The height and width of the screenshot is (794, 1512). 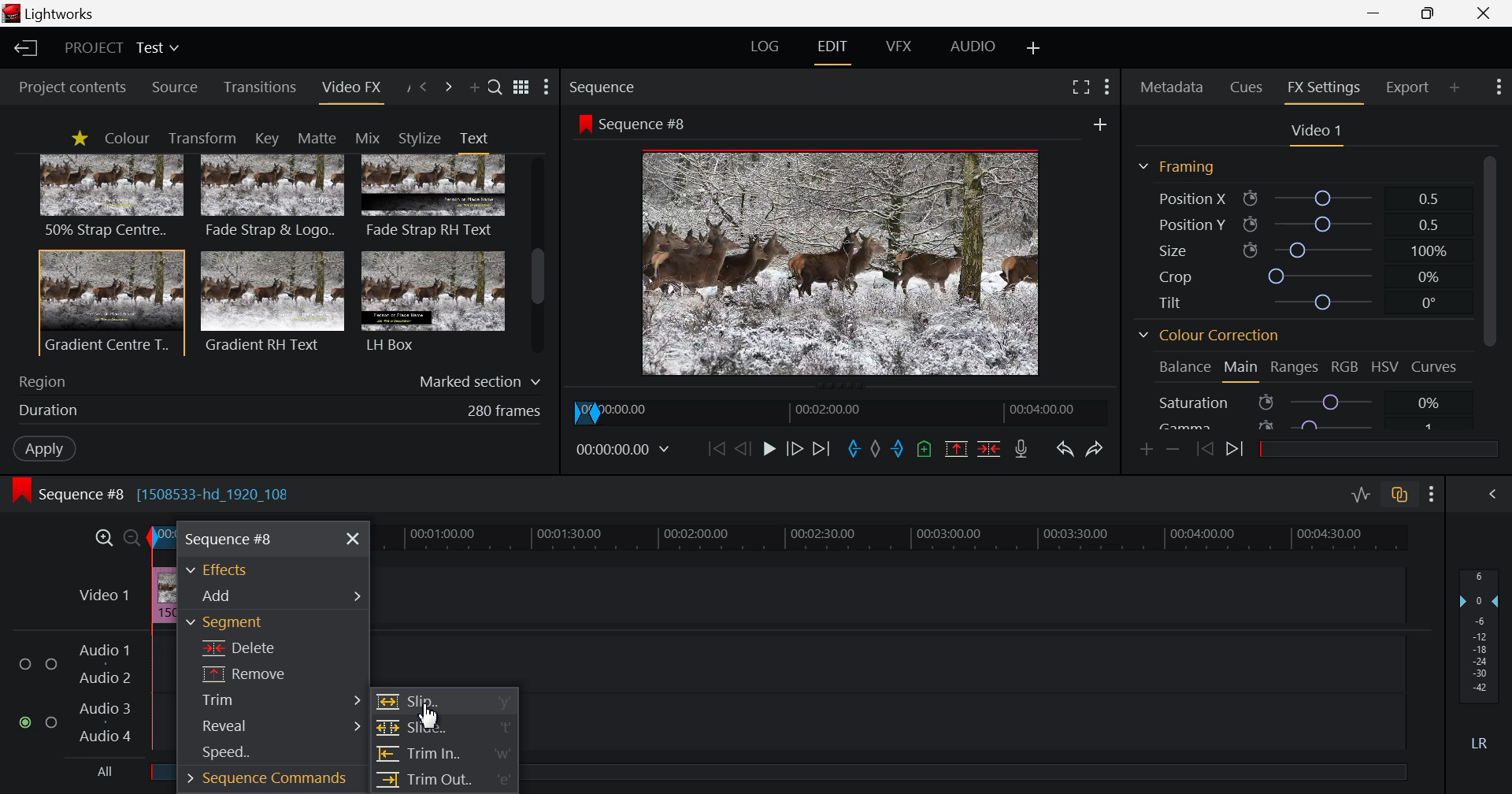 What do you see at coordinates (874, 450) in the screenshot?
I see `Remove all marks` at bounding box center [874, 450].